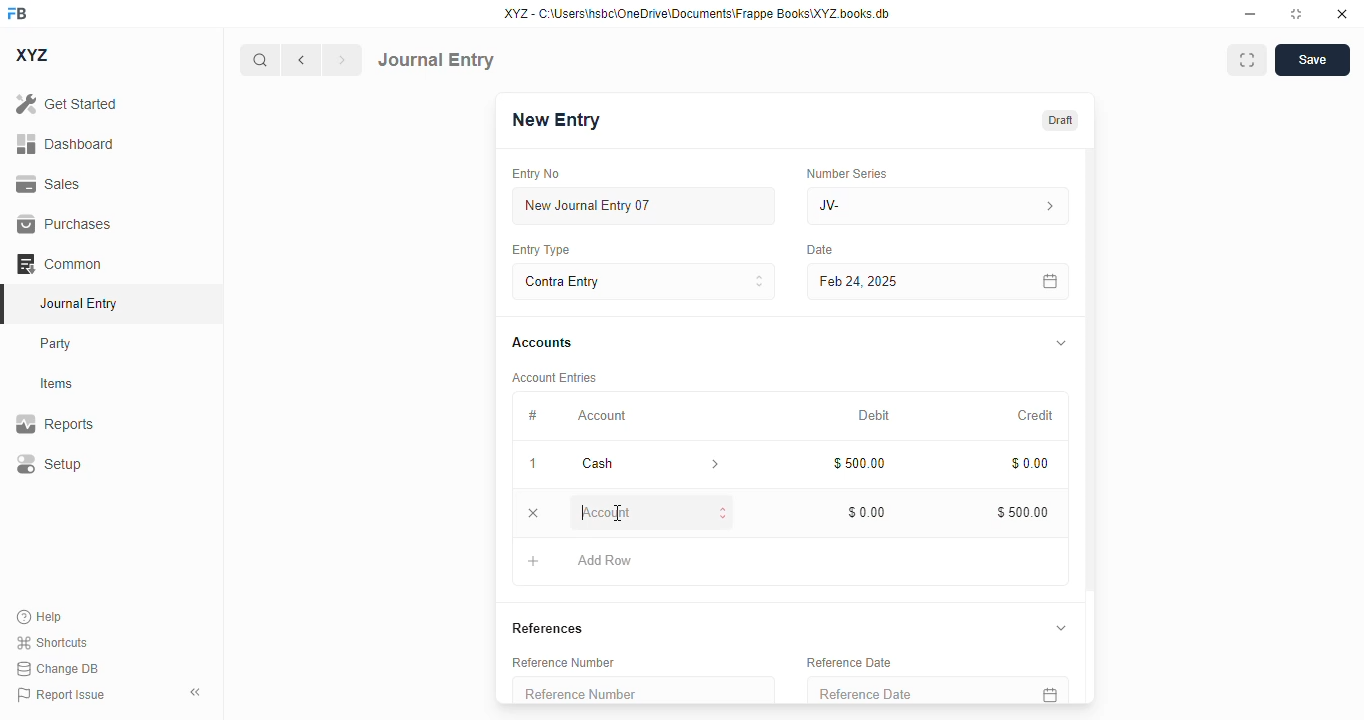 This screenshot has width=1364, height=720. Describe the element at coordinates (605, 561) in the screenshot. I see `add row` at that location.